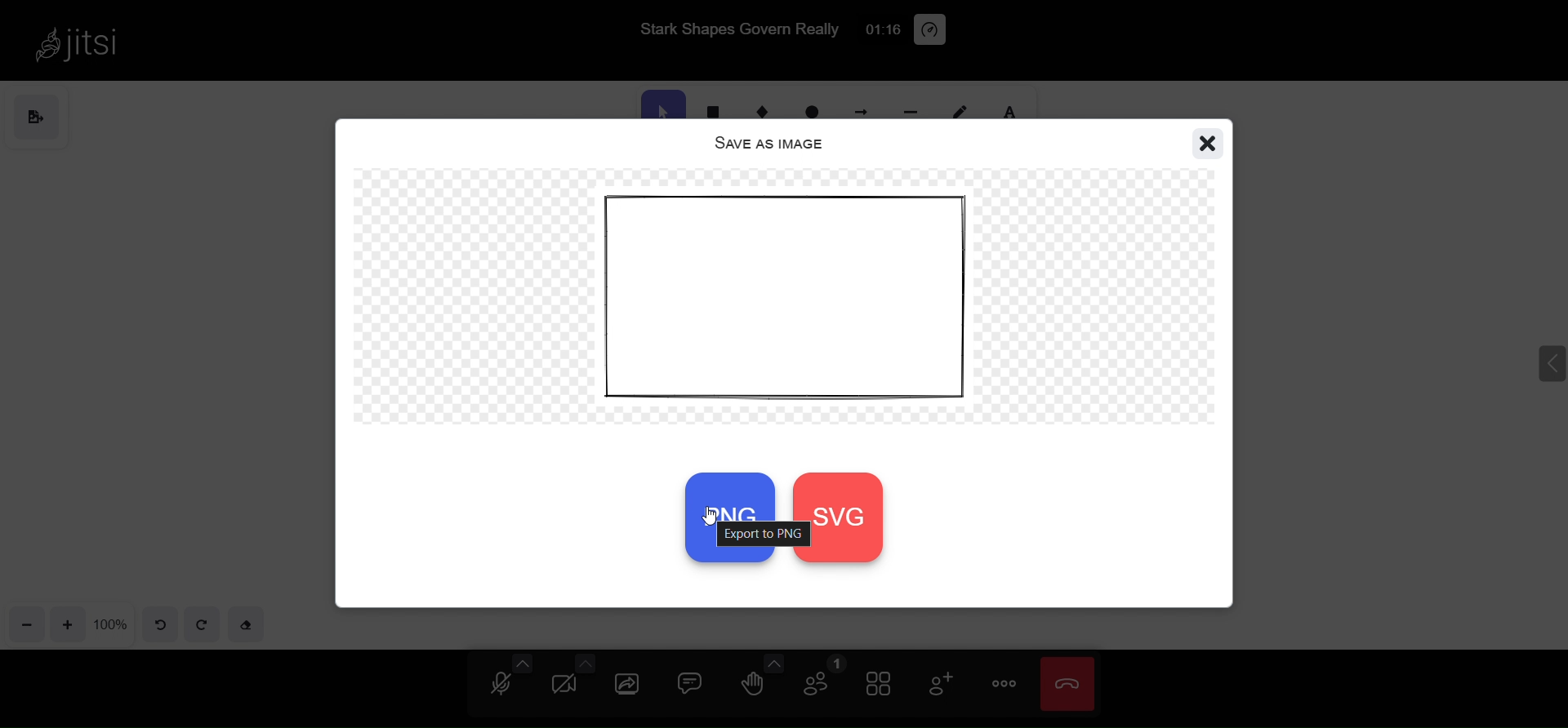  I want to click on svg, so click(852, 519).